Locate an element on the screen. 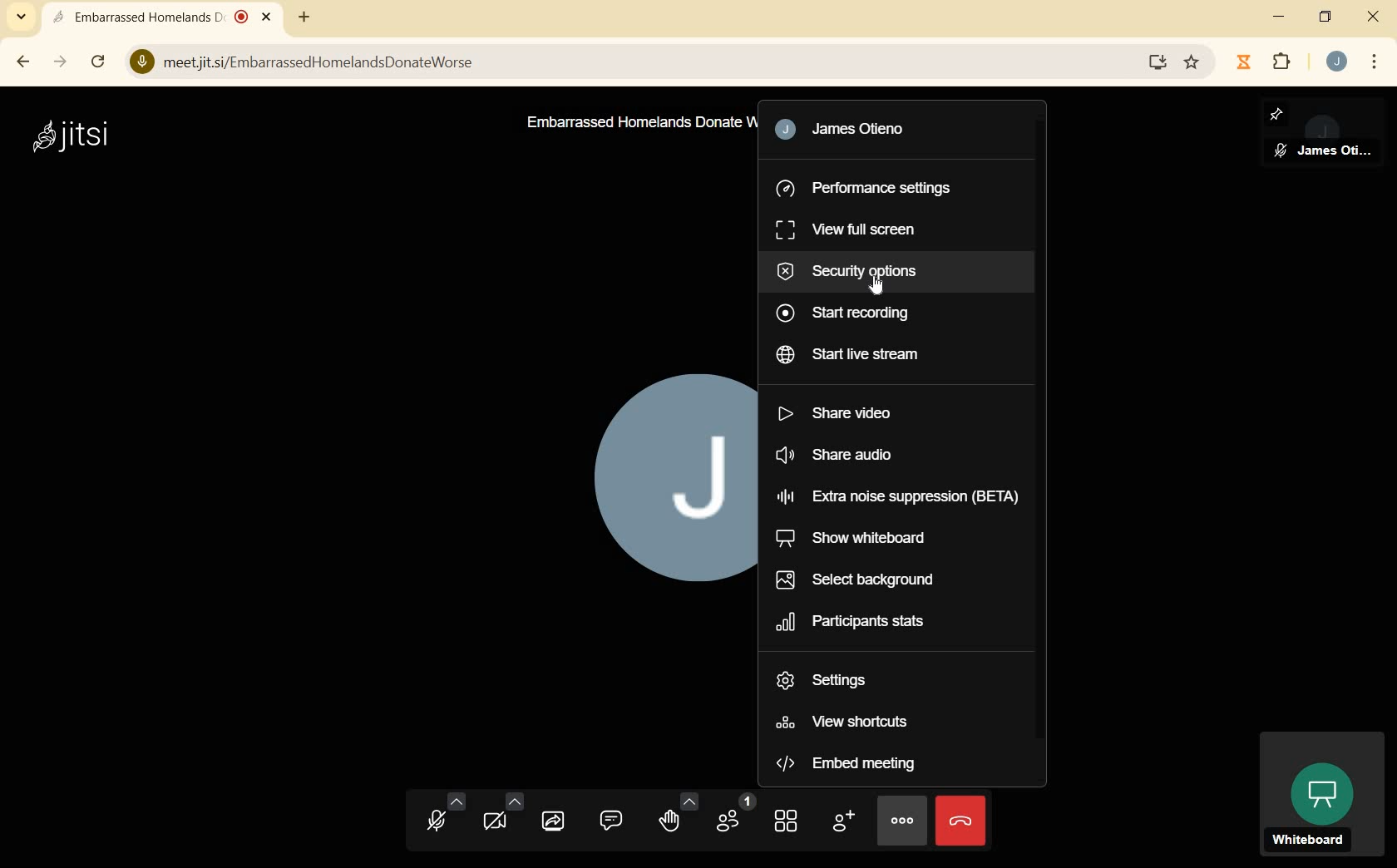 This screenshot has height=868, width=1397. new tab is located at coordinates (304, 18).